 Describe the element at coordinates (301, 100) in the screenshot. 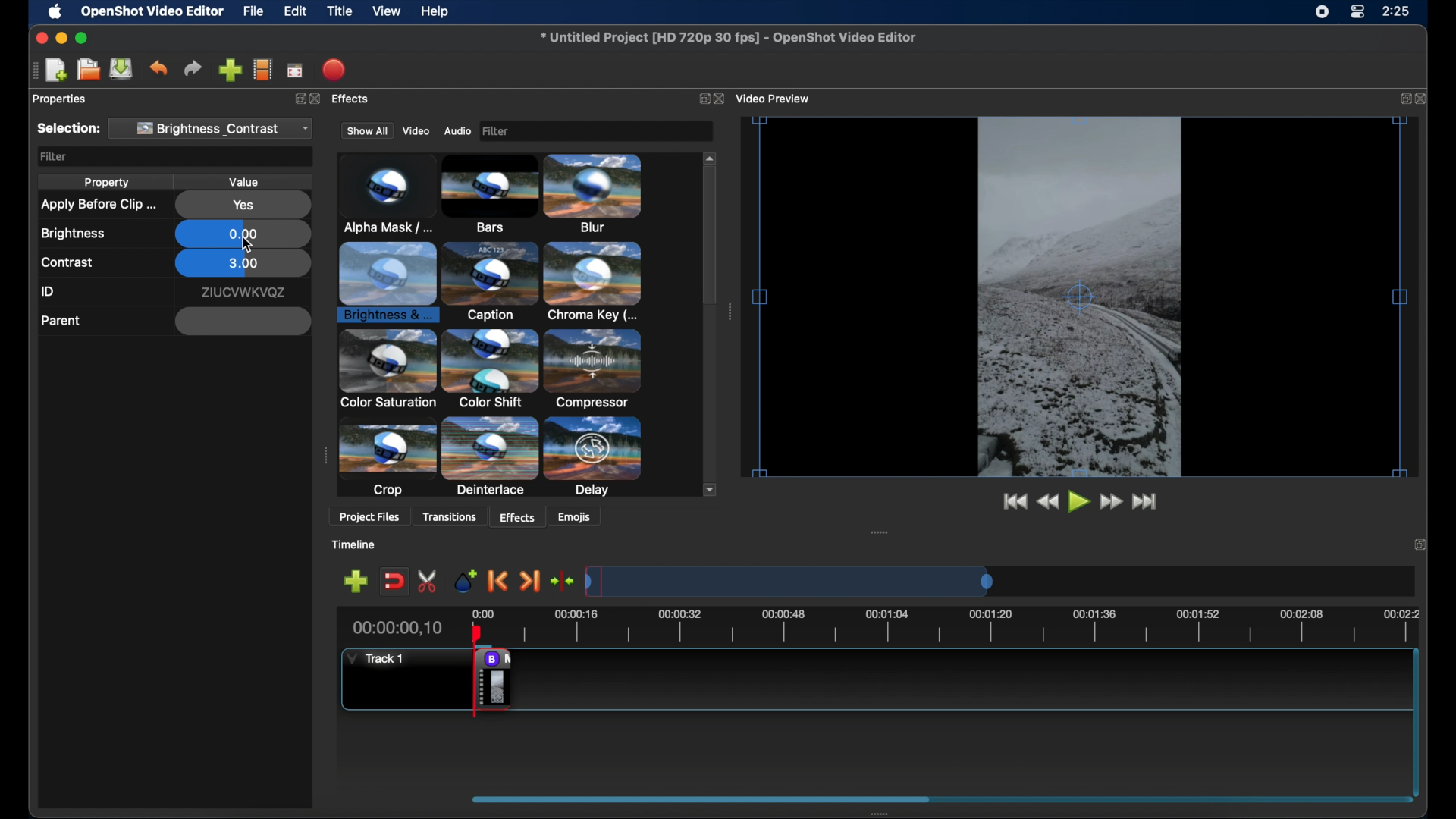

I see `expand` at that location.